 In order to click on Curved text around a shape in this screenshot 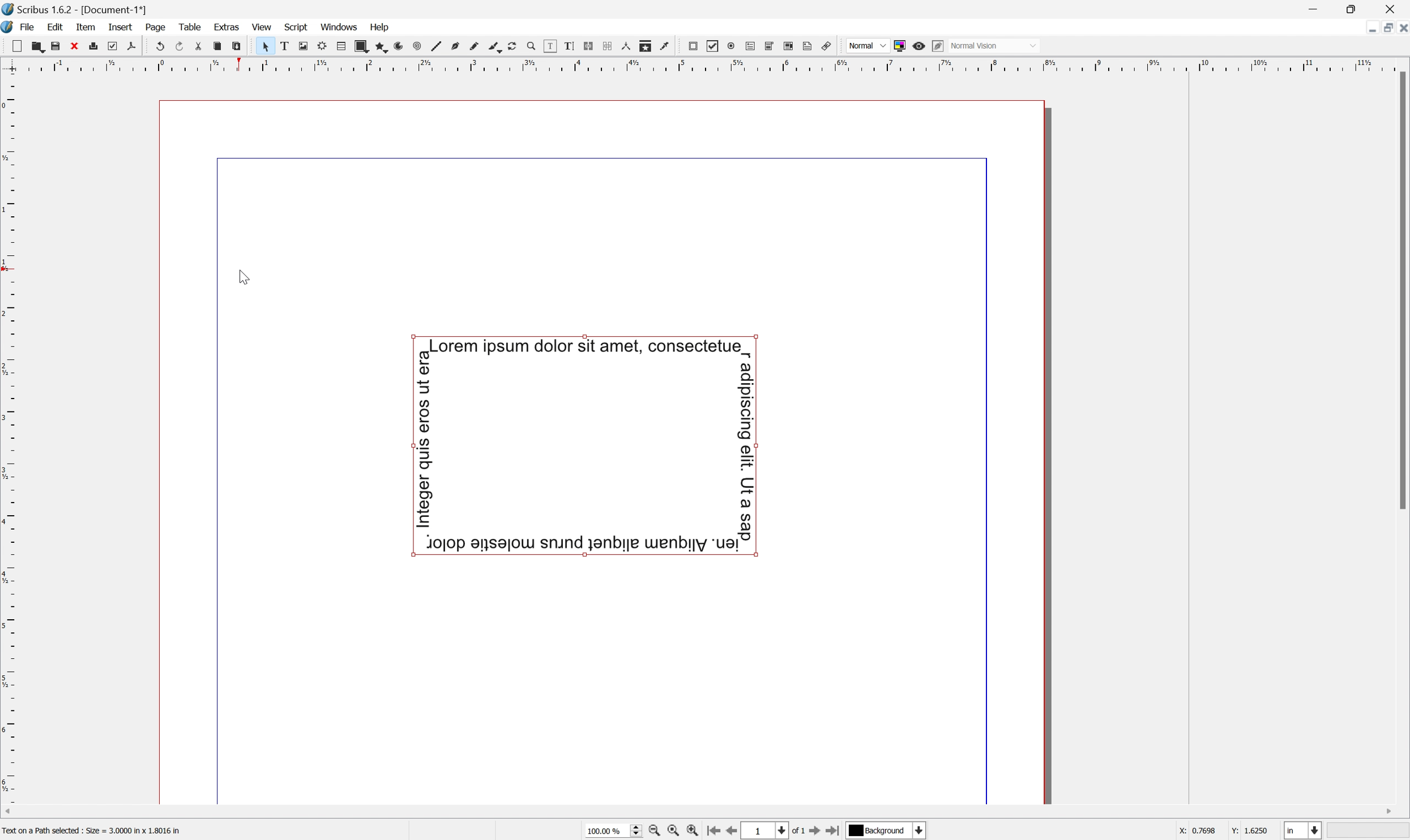, I will do `click(586, 443)`.